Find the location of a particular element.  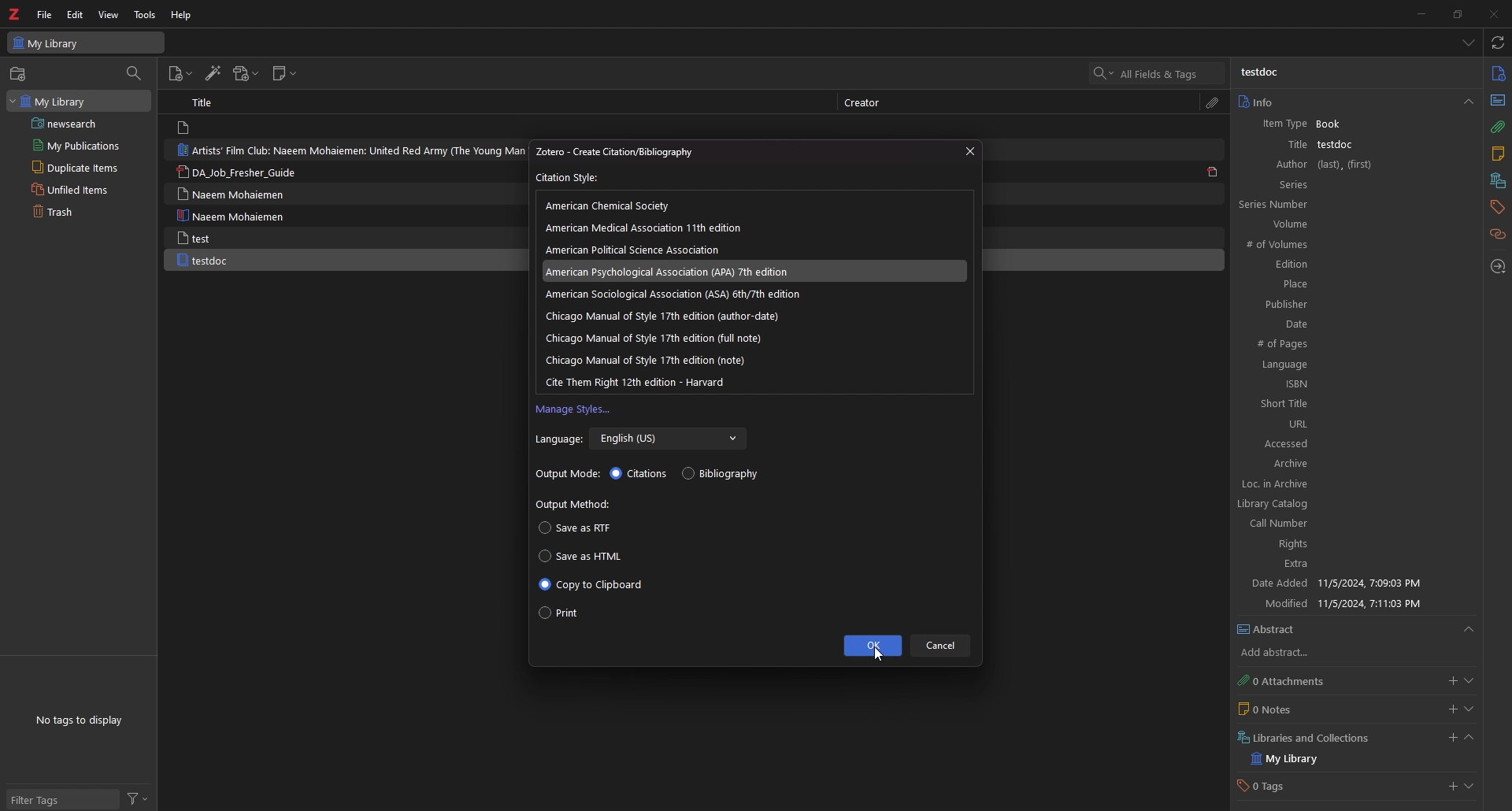

test is located at coordinates (196, 238).